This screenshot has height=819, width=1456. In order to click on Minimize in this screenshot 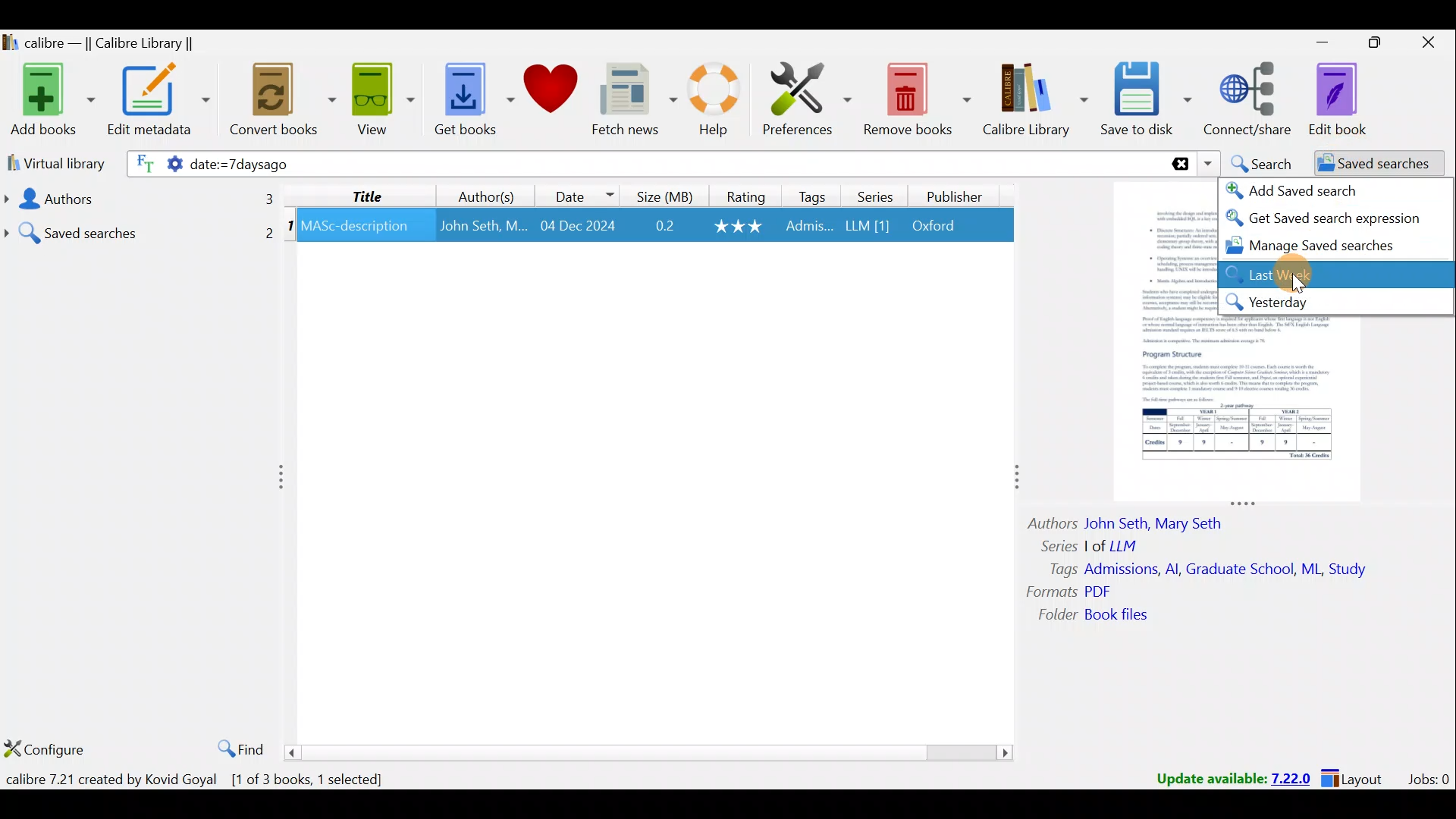, I will do `click(1314, 42)`.